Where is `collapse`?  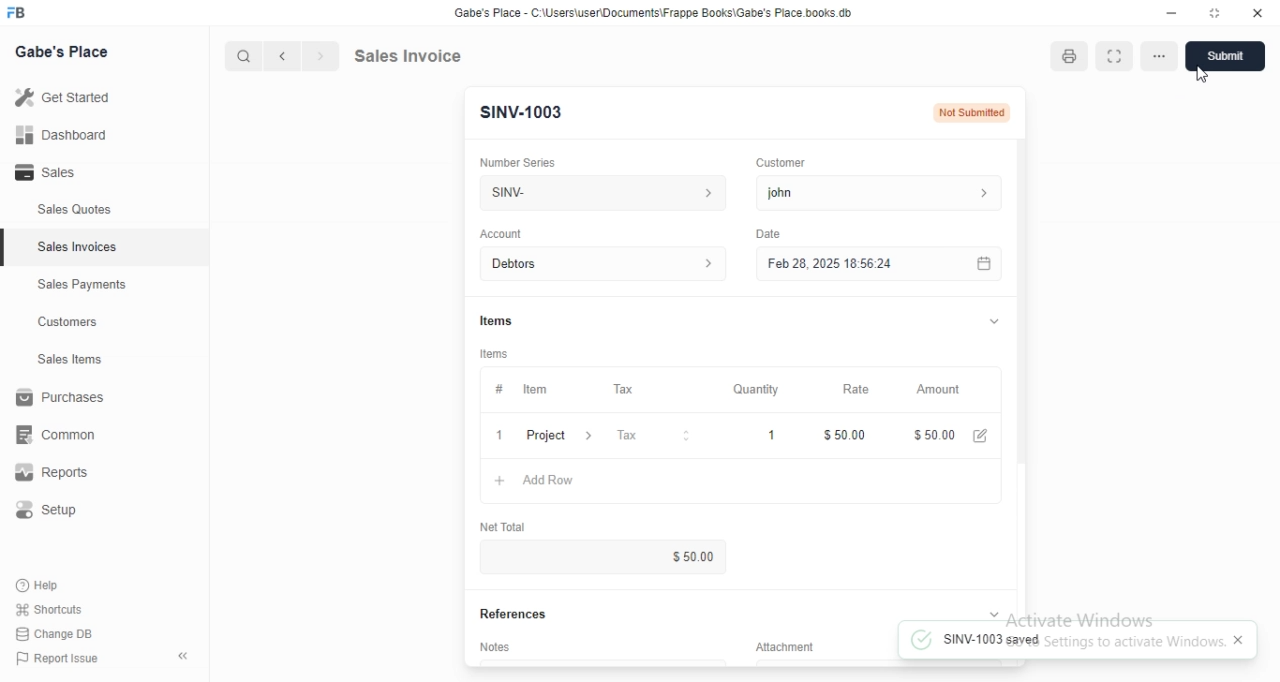
collapse is located at coordinates (992, 613).